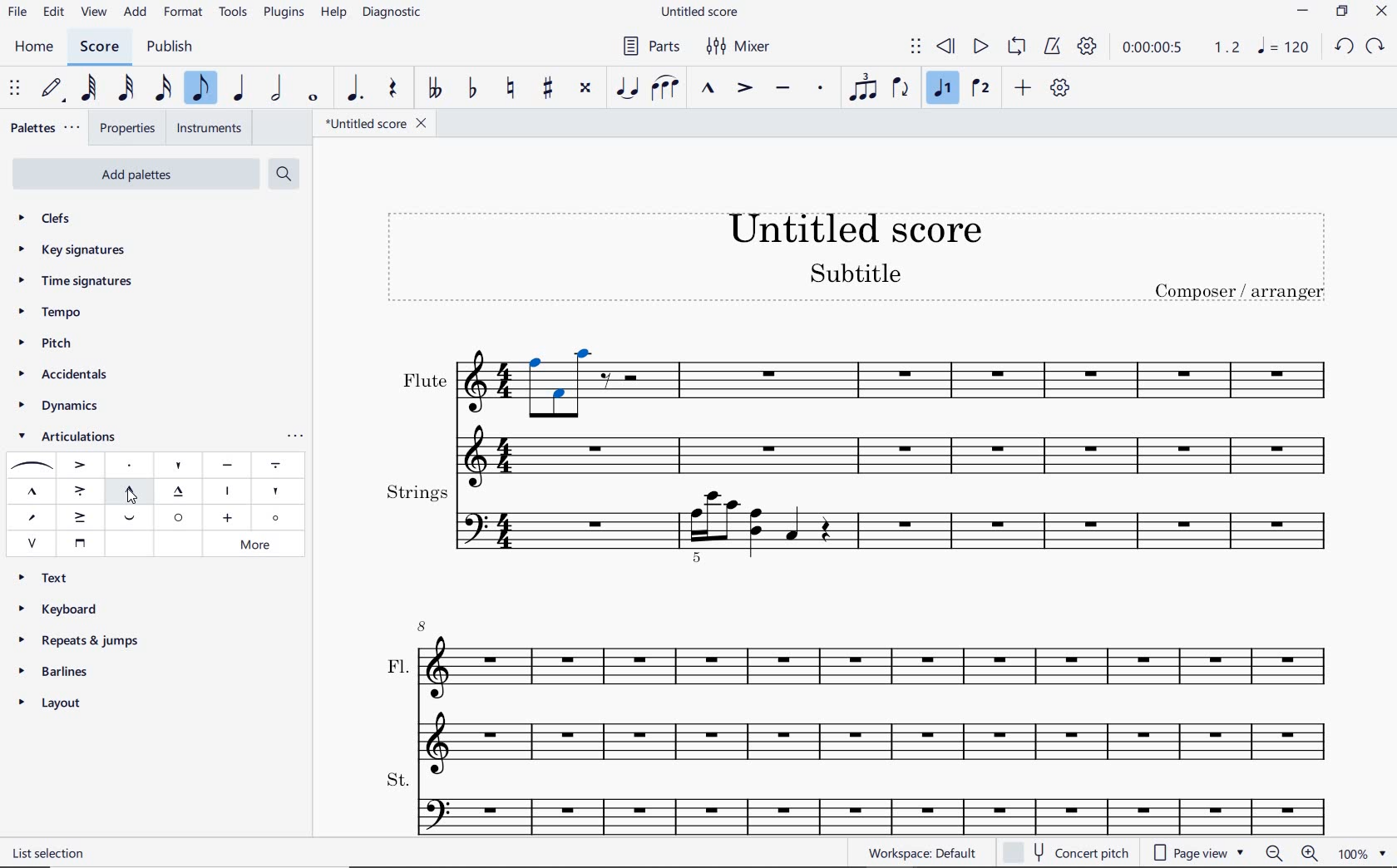 The width and height of the screenshot is (1397, 868). I want to click on STACCATO ABOVE, so click(130, 466).